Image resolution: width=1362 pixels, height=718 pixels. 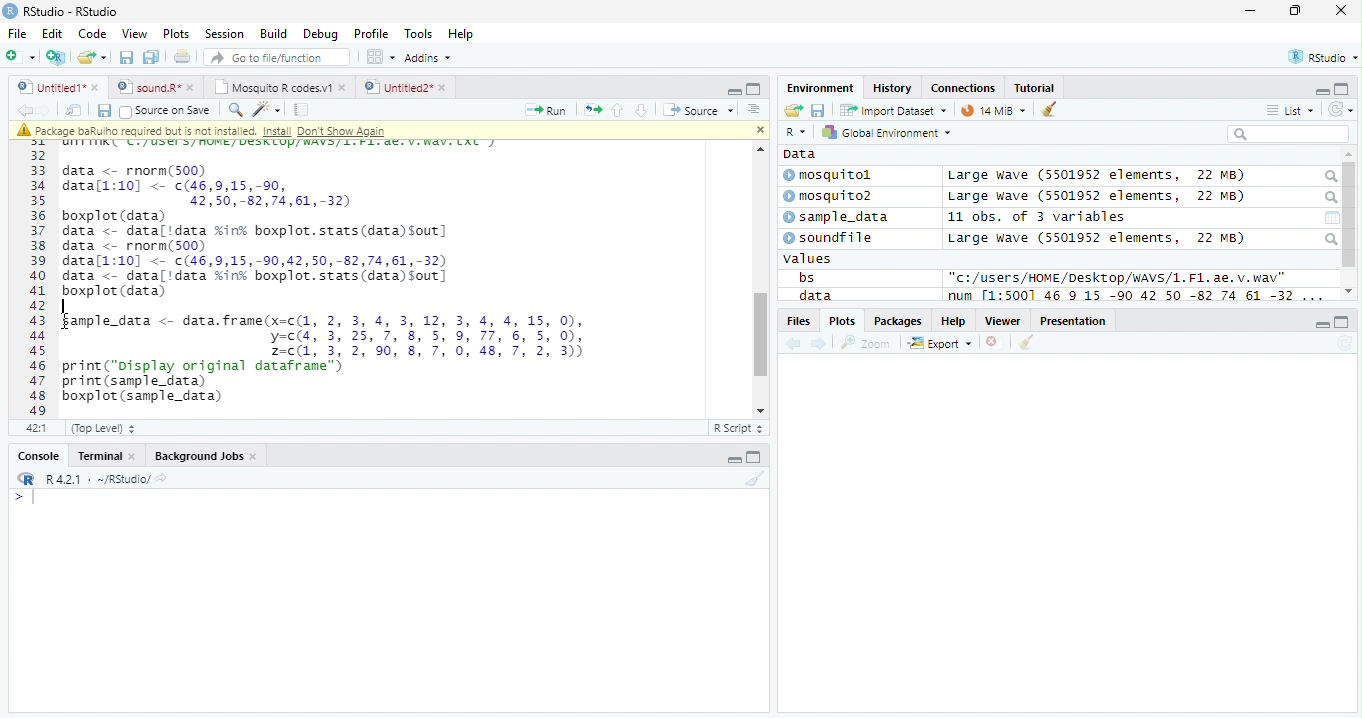 What do you see at coordinates (1350, 215) in the screenshot?
I see `scroll bar` at bounding box center [1350, 215].